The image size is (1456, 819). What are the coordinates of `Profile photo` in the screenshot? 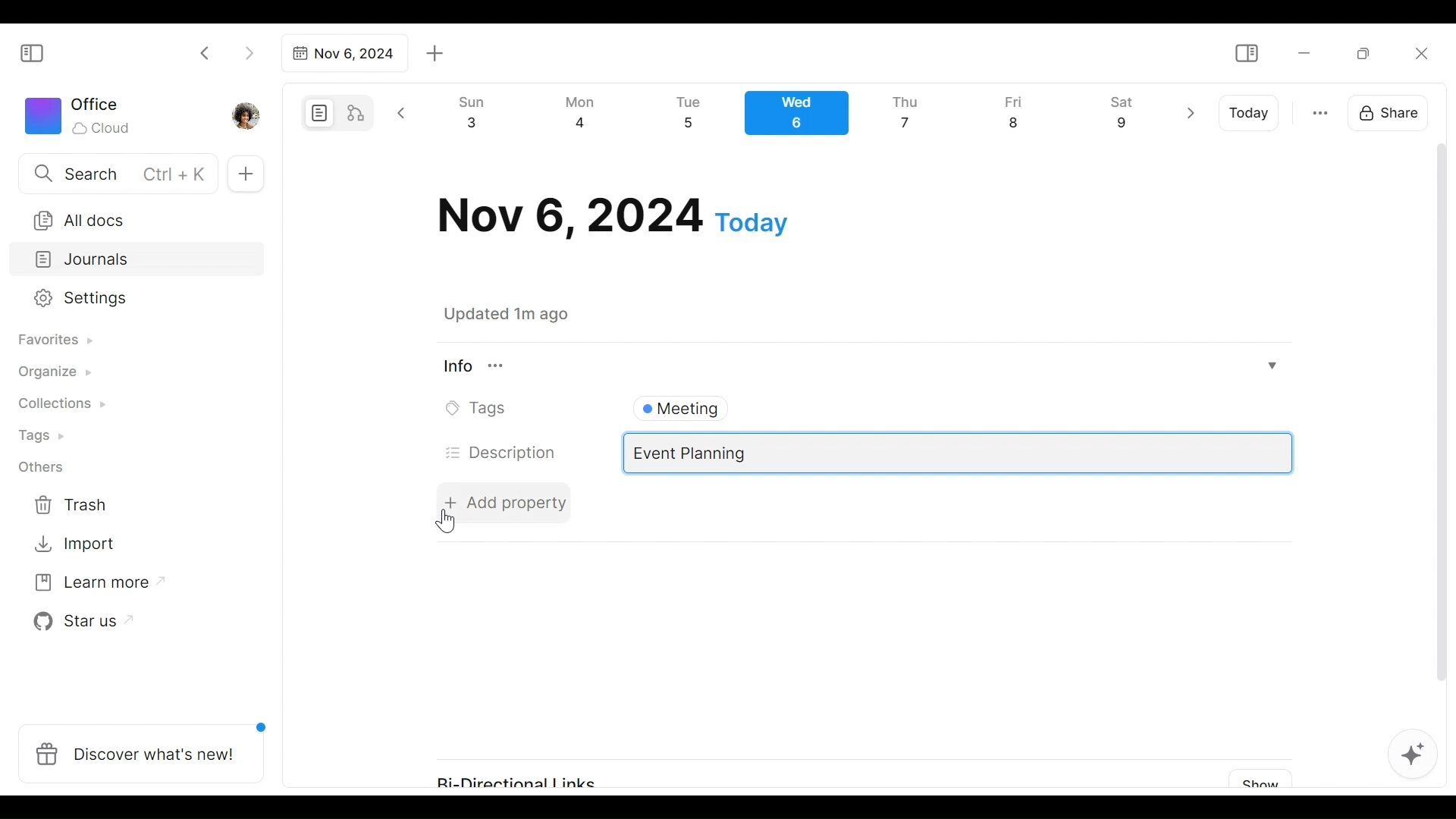 It's located at (247, 112).